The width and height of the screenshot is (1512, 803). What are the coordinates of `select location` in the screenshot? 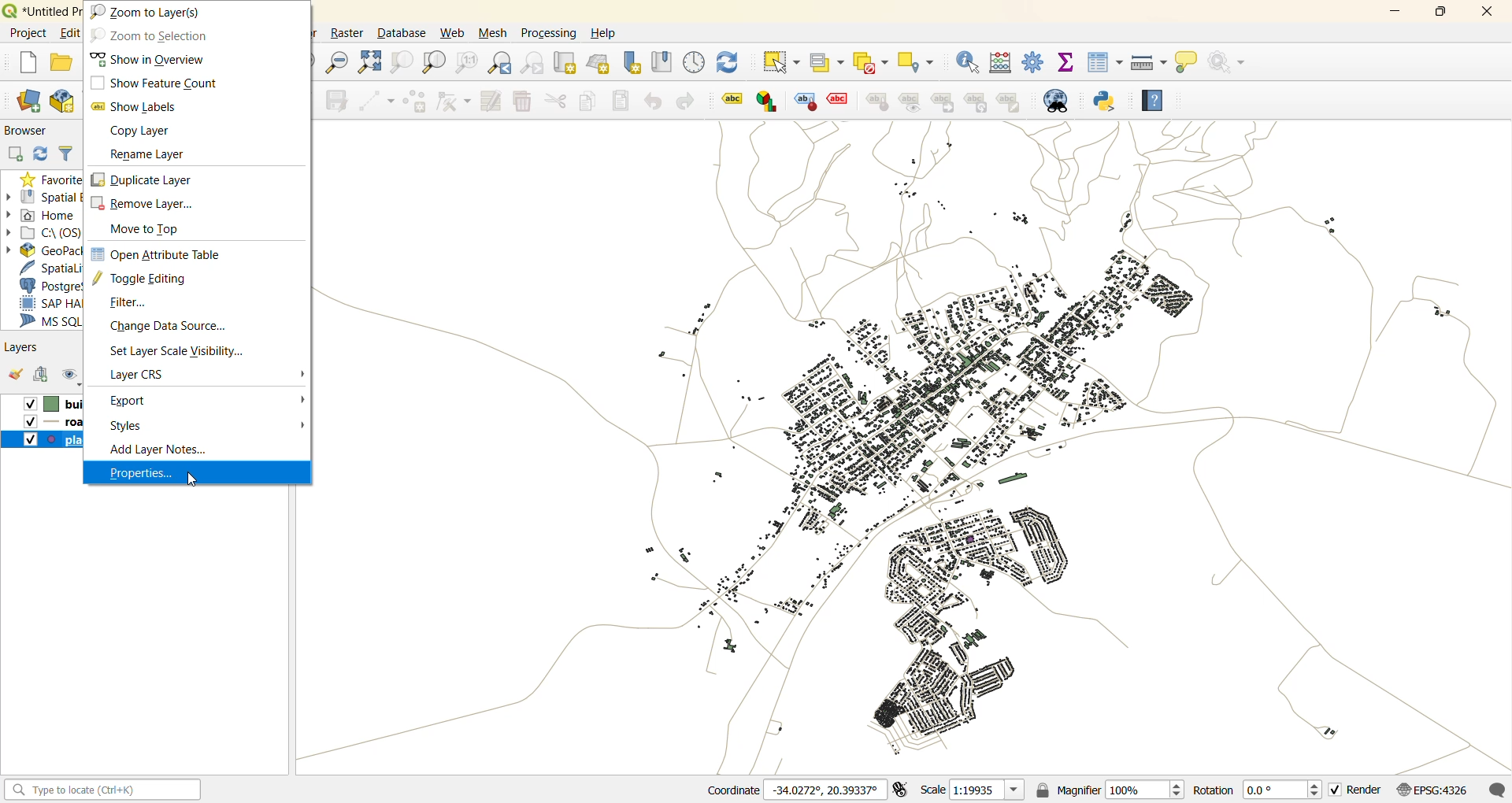 It's located at (917, 61).